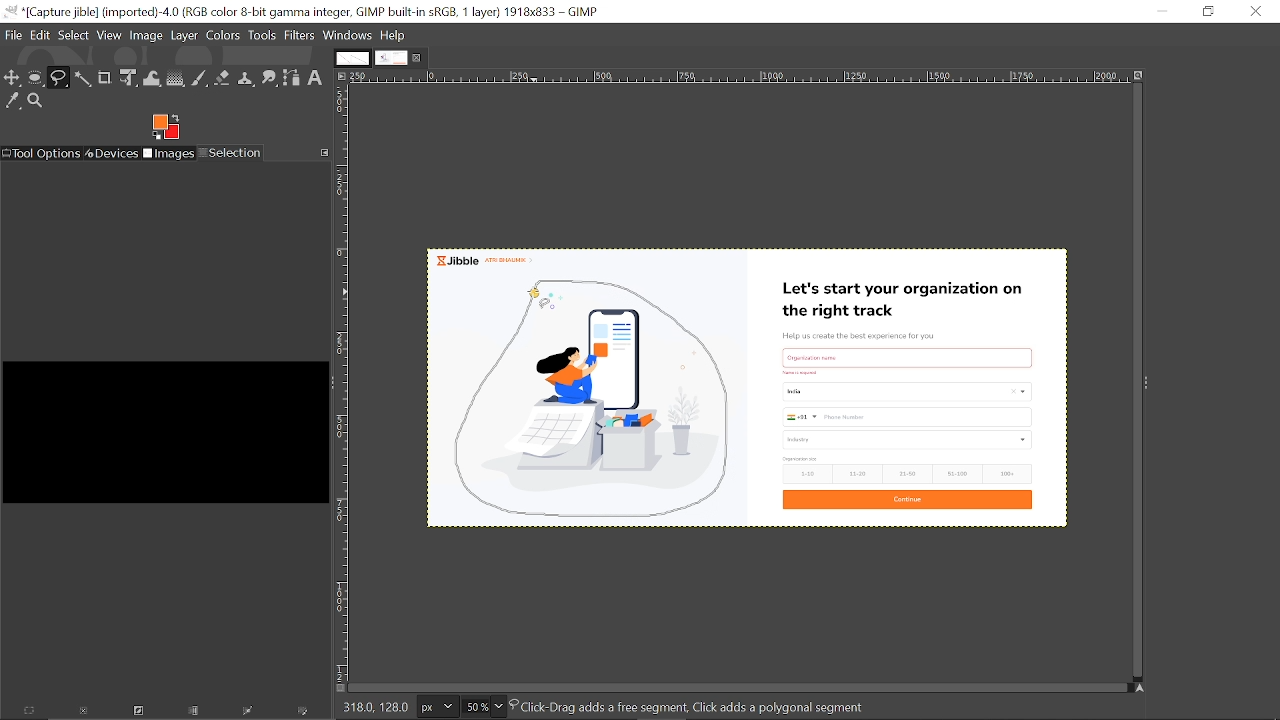 The image size is (1280, 720). I want to click on Image, so click(147, 34).